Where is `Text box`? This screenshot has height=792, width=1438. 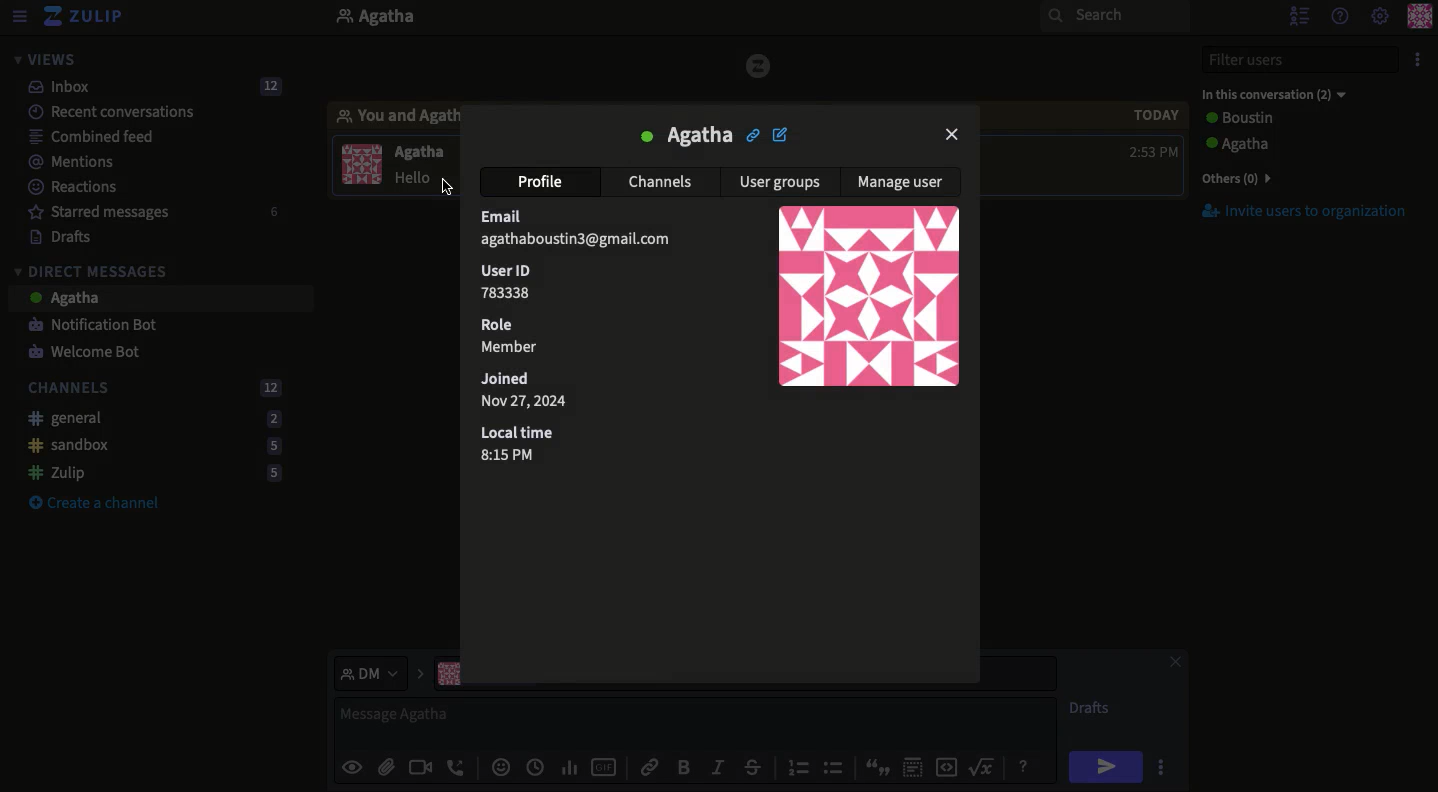 Text box is located at coordinates (696, 722).